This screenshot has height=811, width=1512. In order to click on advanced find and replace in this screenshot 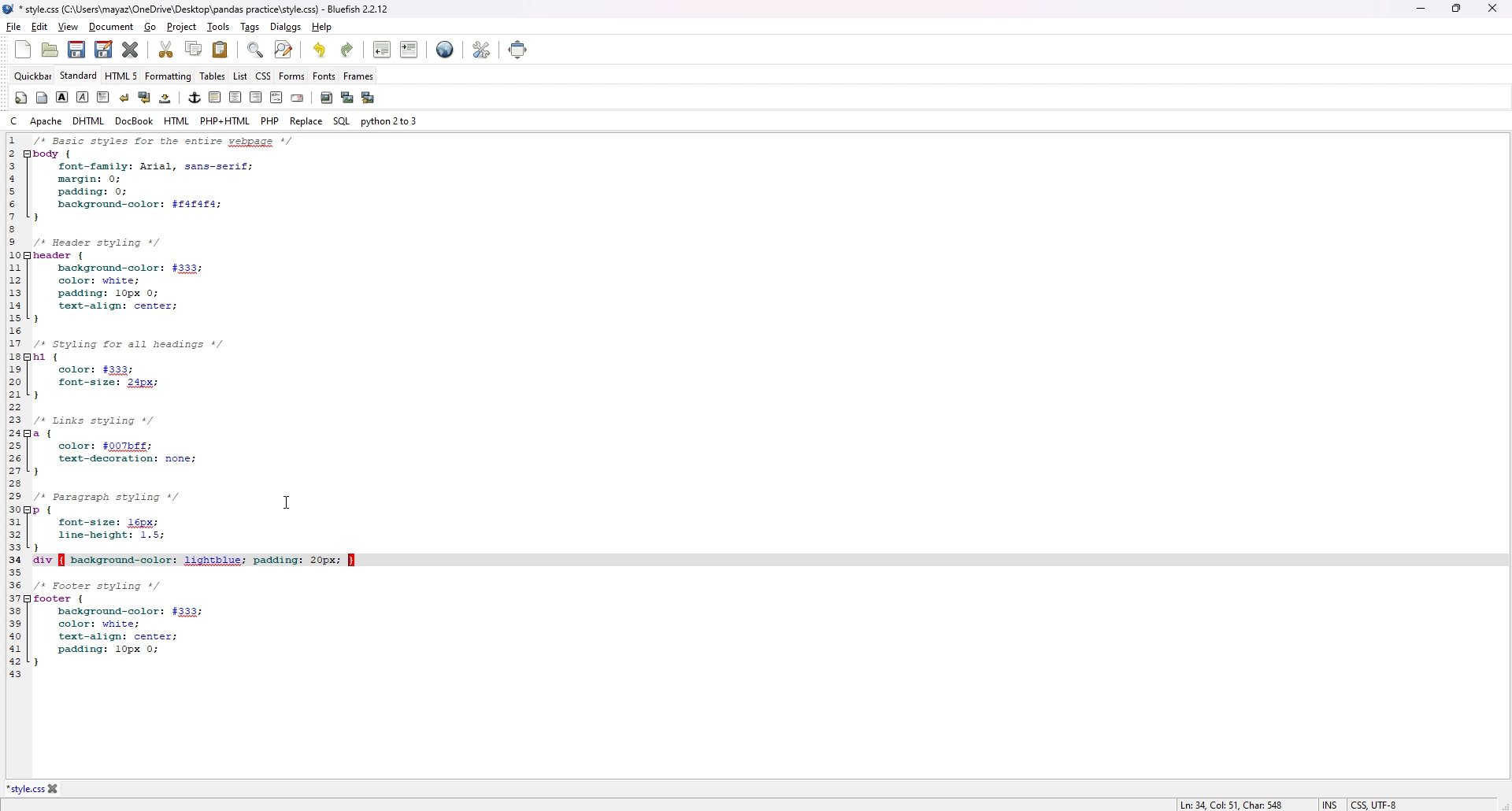, I will do `click(284, 49)`.